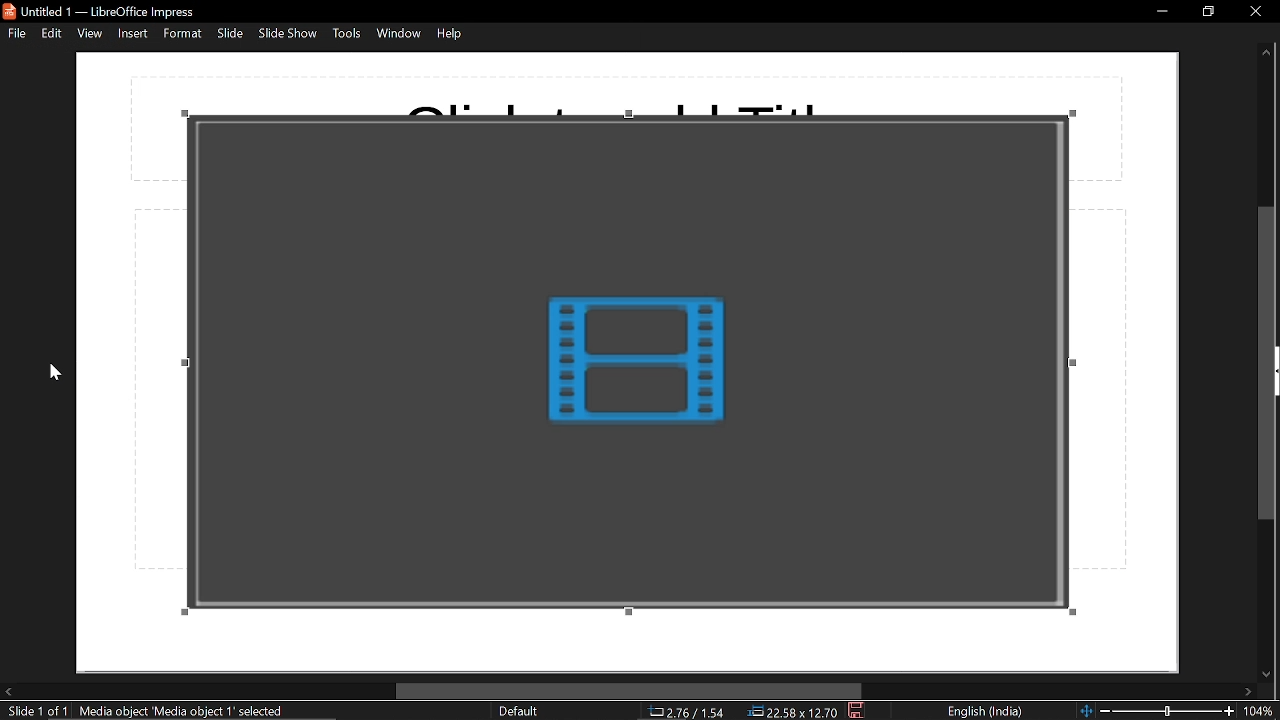 This screenshot has width=1280, height=720. What do you see at coordinates (1249, 691) in the screenshot?
I see `move right` at bounding box center [1249, 691].